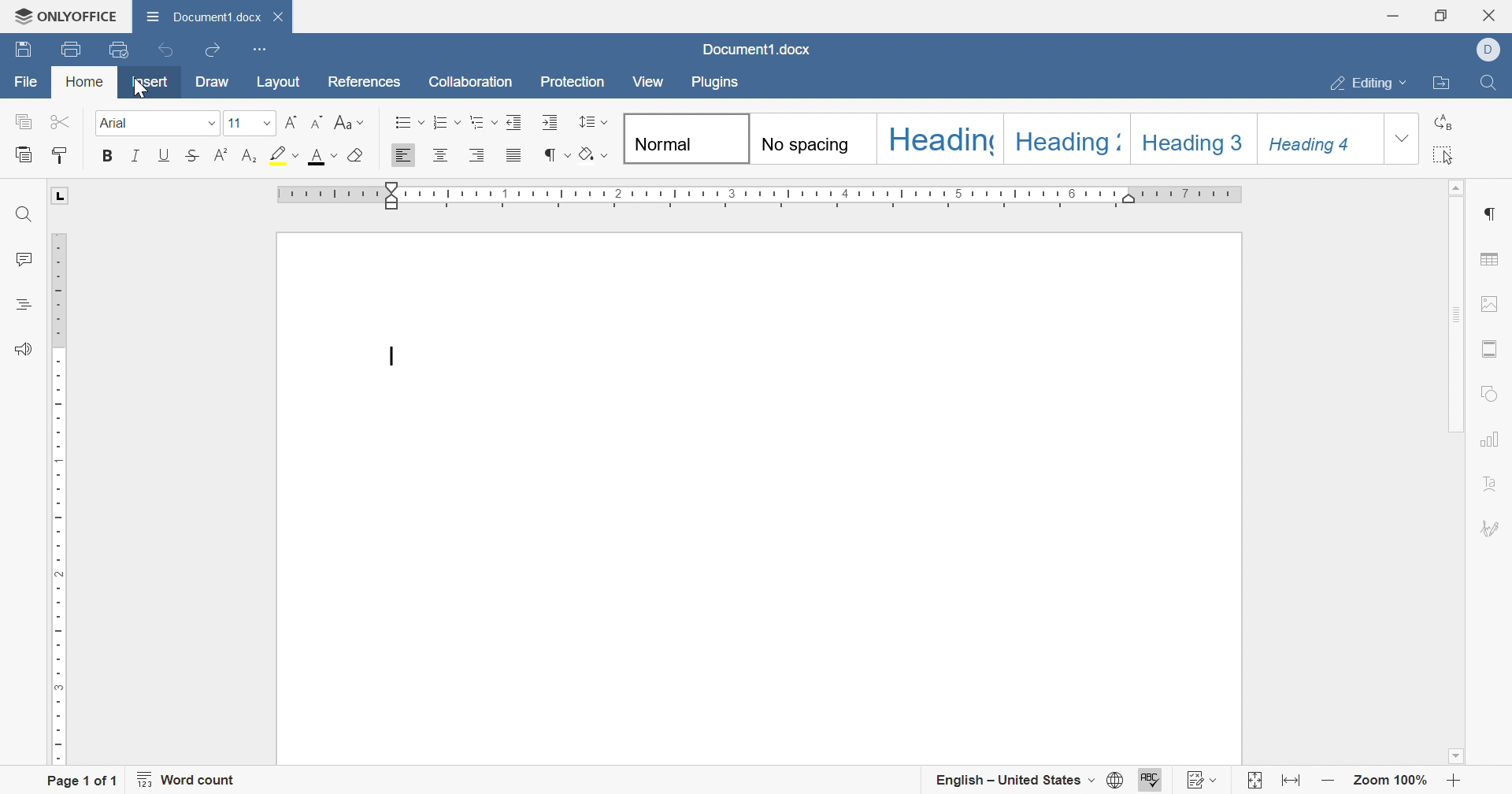 The width and height of the screenshot is (1512, 794). I want to click on Insert, so click(150, 82).